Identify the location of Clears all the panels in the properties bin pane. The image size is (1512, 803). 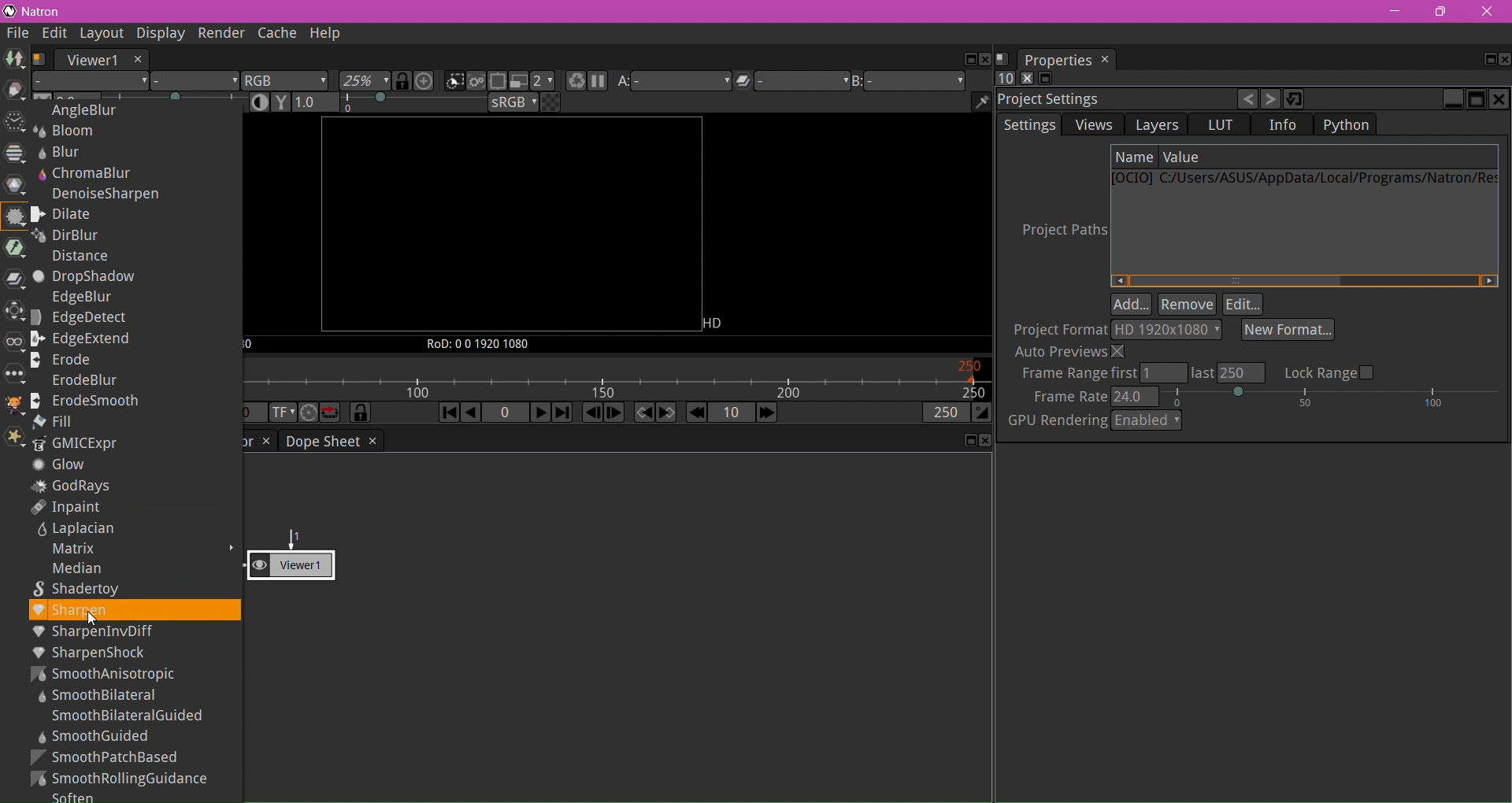
(1025, 79).